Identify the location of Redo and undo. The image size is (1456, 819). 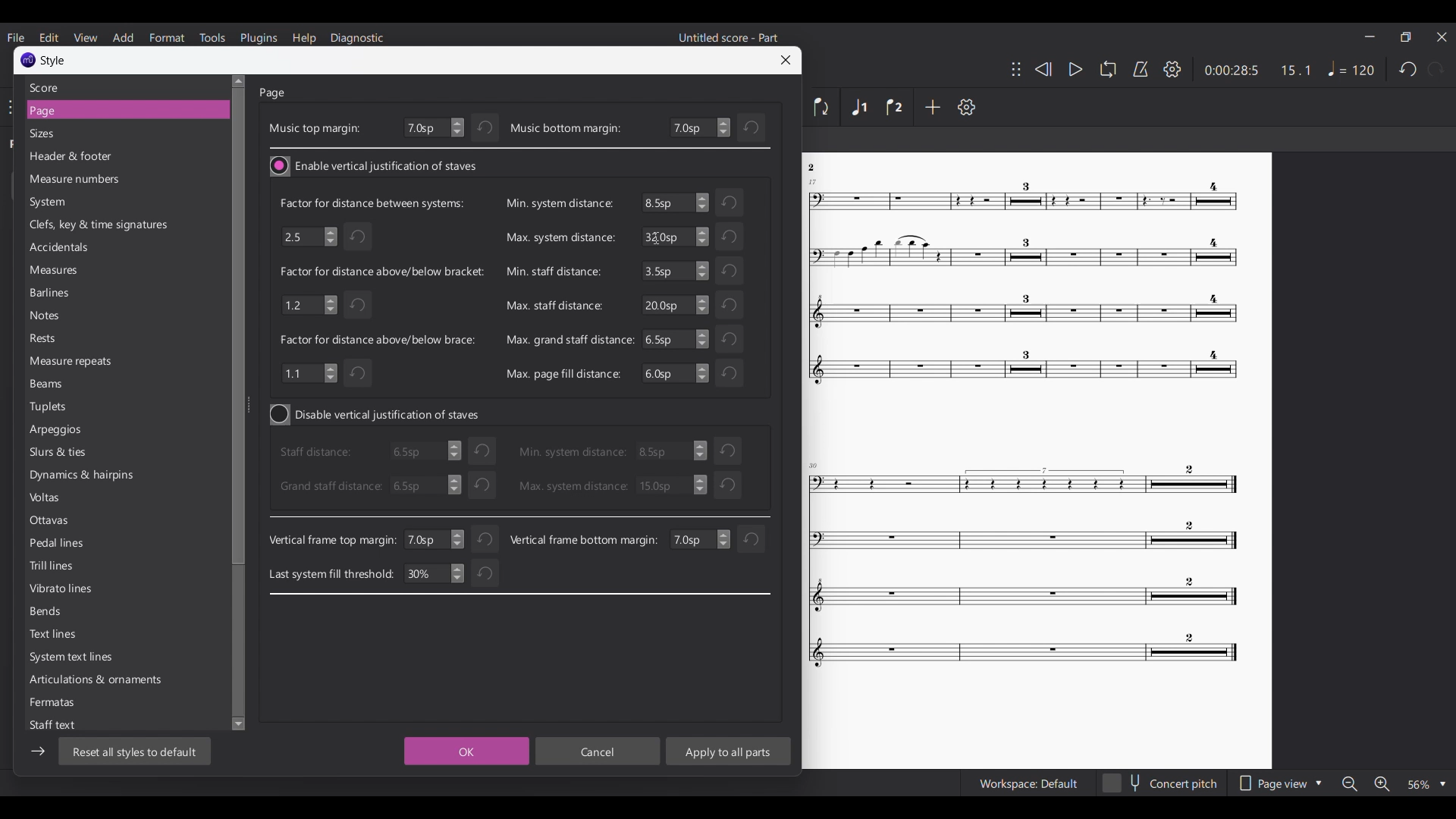
(1421, 69).